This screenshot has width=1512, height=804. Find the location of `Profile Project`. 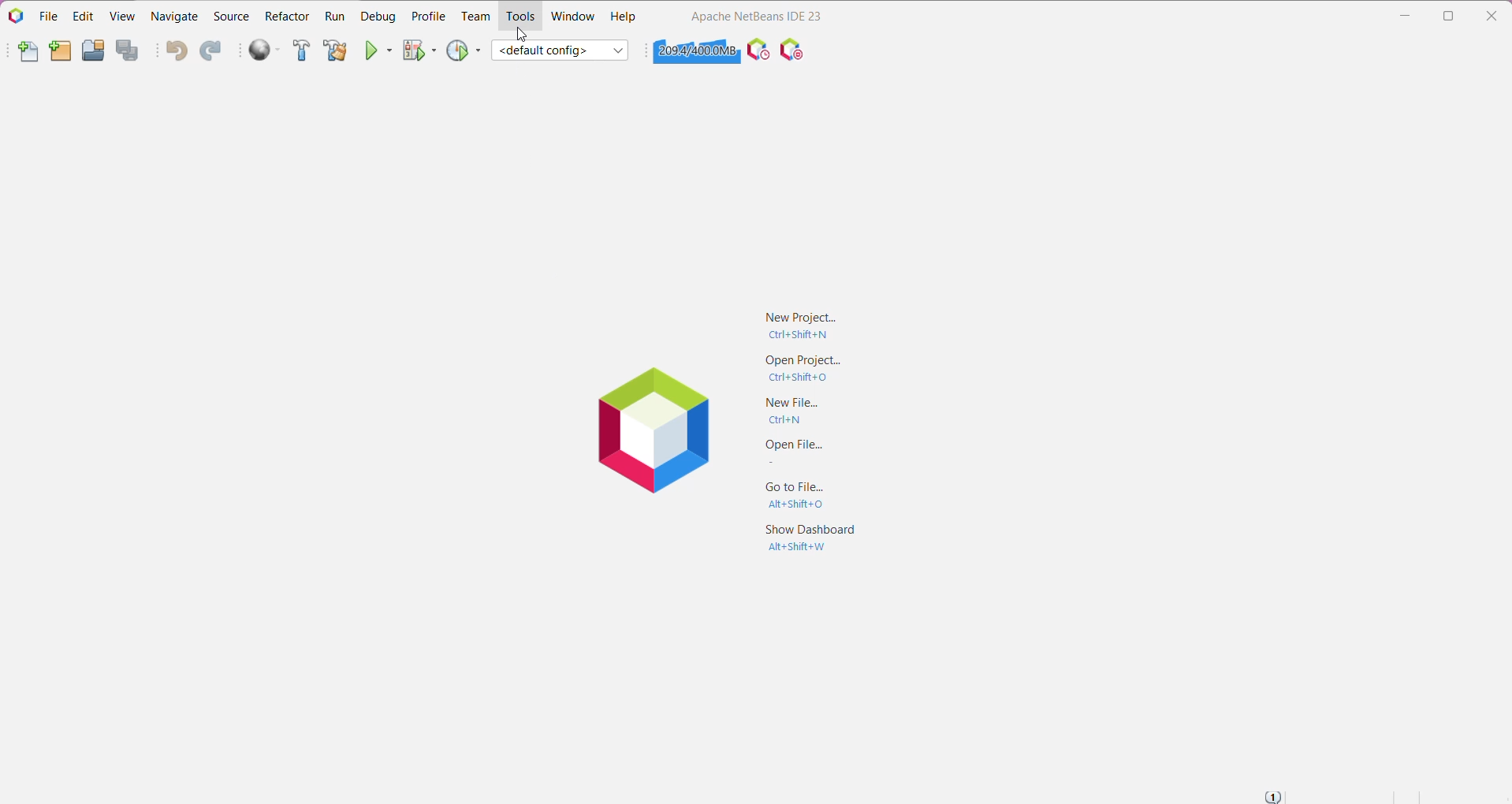

Profile Project is located at coordinates (464, 50).